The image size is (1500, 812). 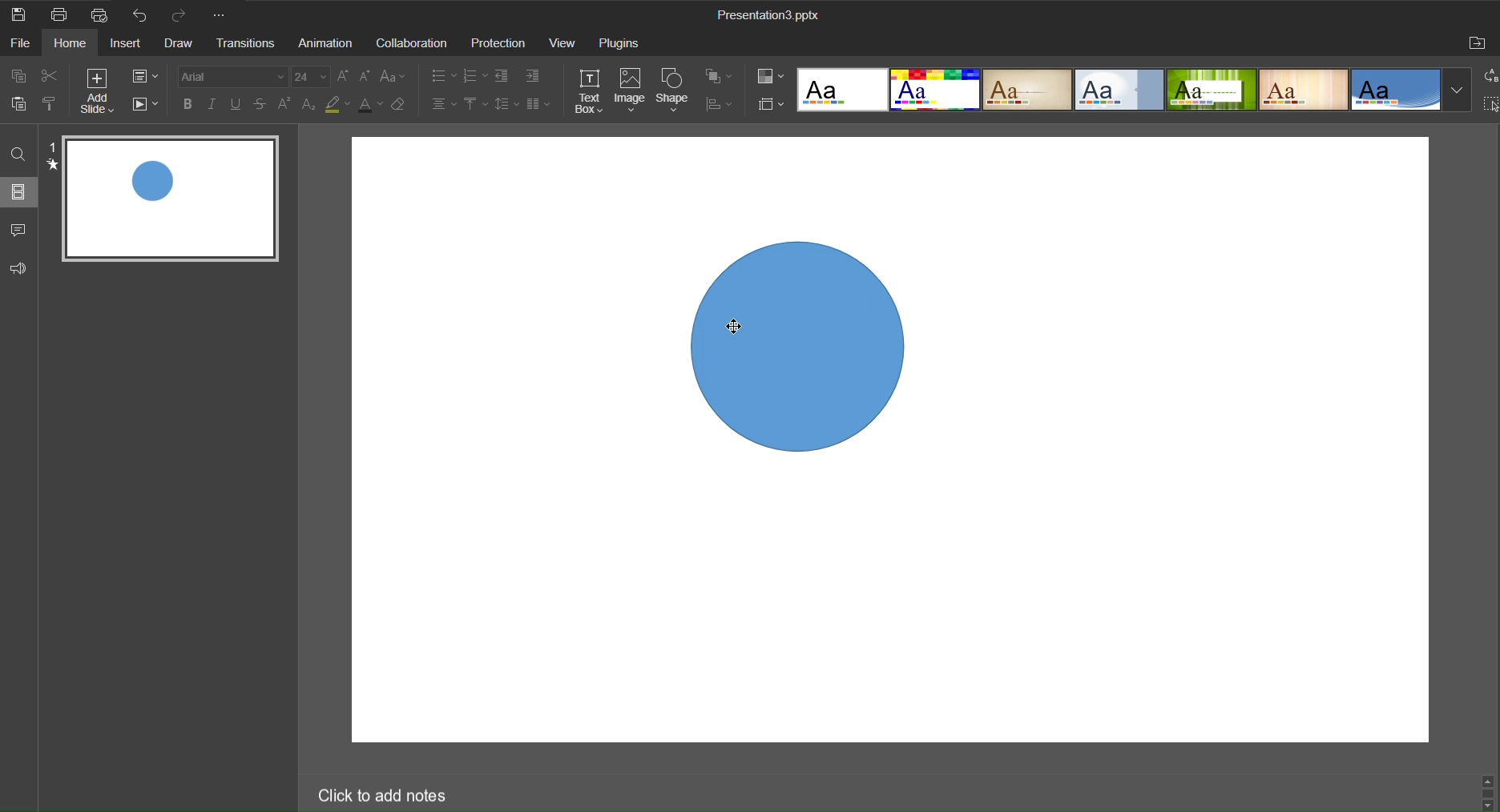 I want to click on Superscript, so click(x=288, y=107).